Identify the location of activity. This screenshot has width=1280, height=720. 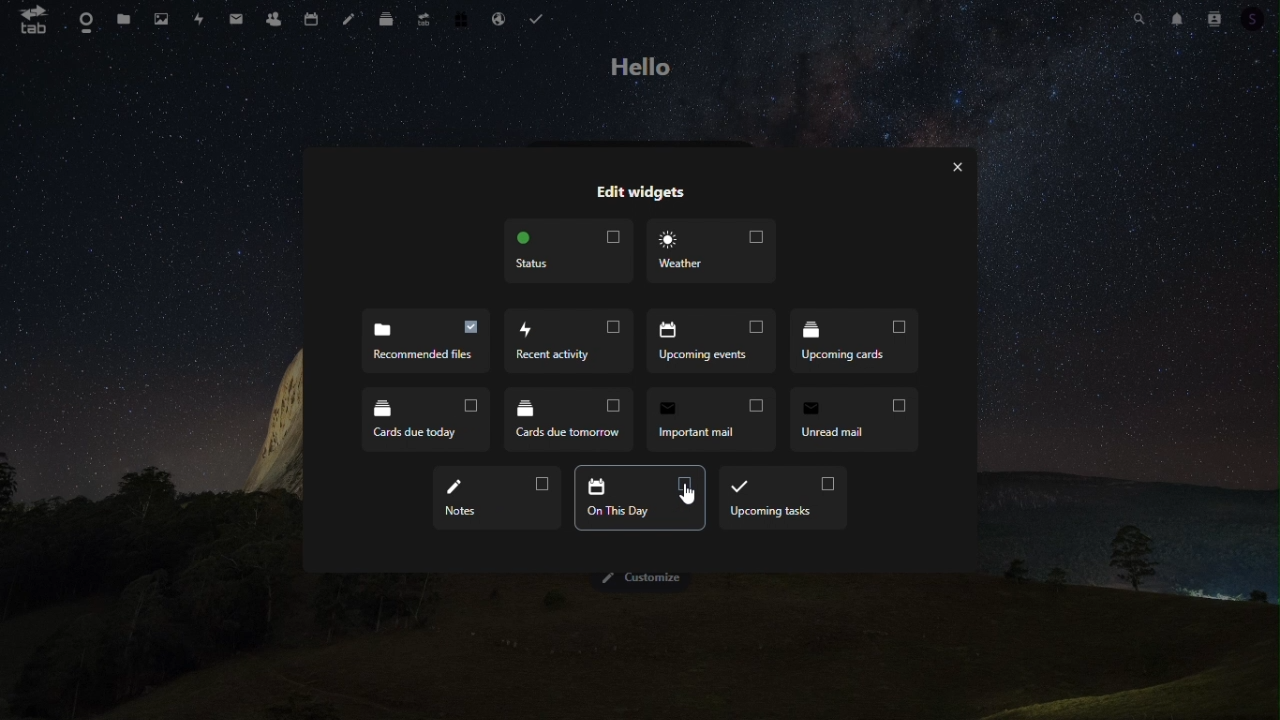
(198, 17).